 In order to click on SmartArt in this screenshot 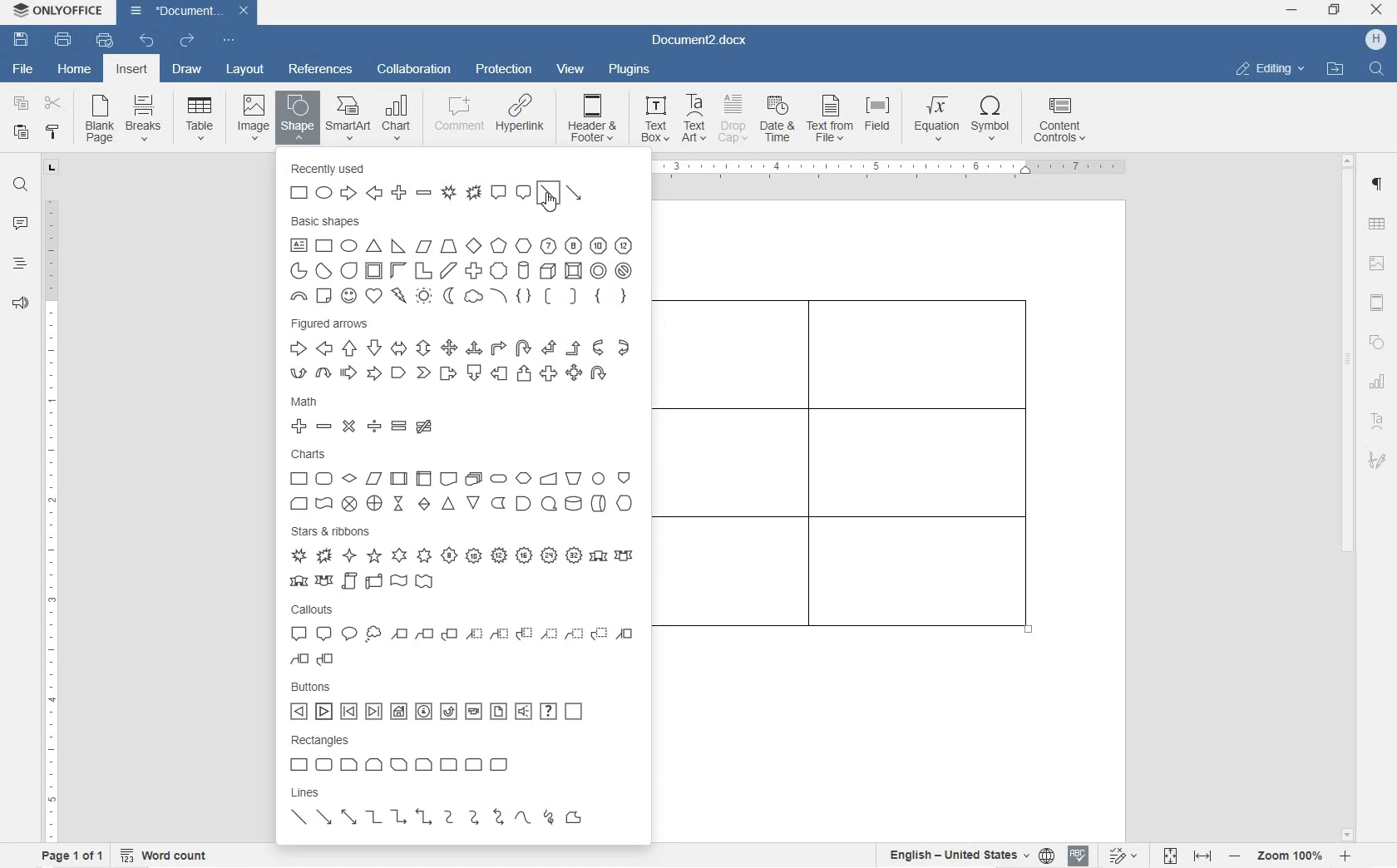, I will do `click(348, 118)`.